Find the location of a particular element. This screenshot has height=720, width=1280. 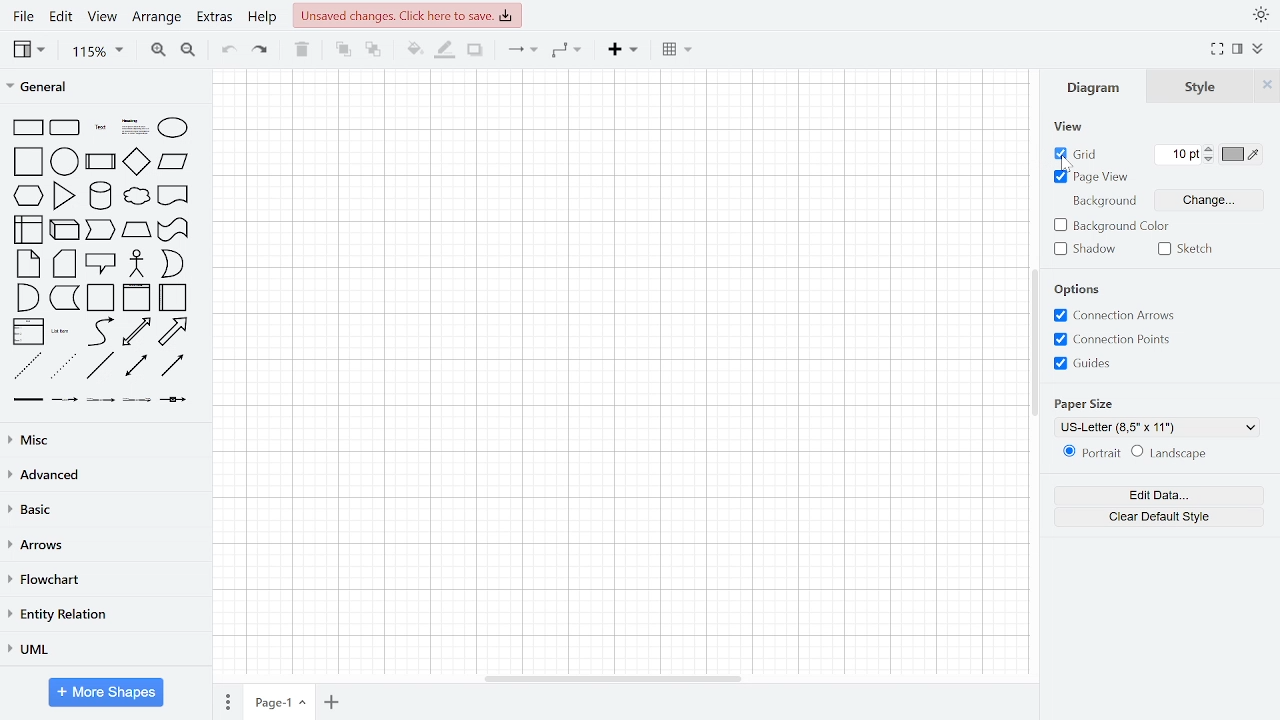

bidirectional arrow is located at coordinates (137, 333).